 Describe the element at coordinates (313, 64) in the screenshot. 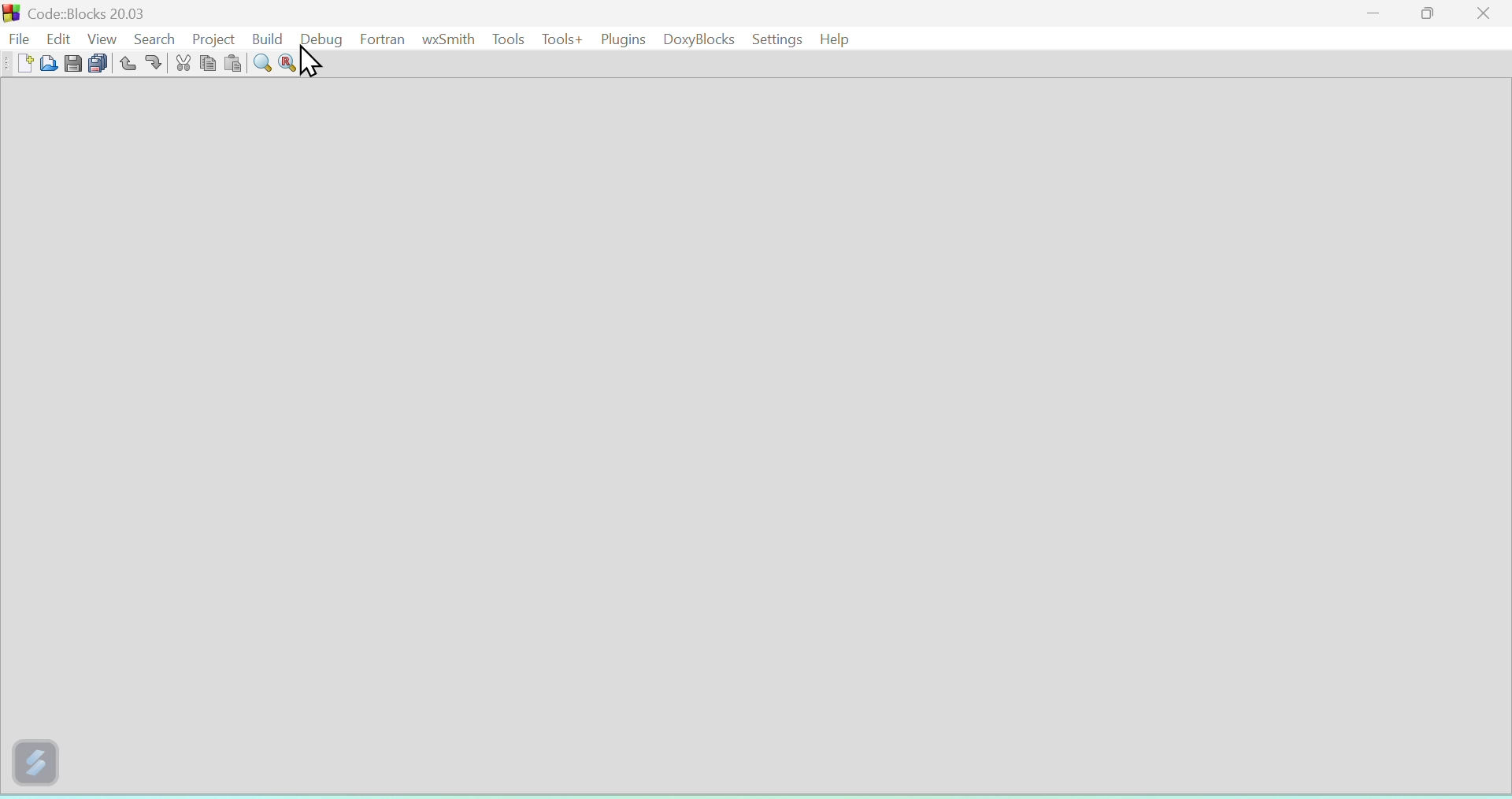

I see `cursor` at that location.